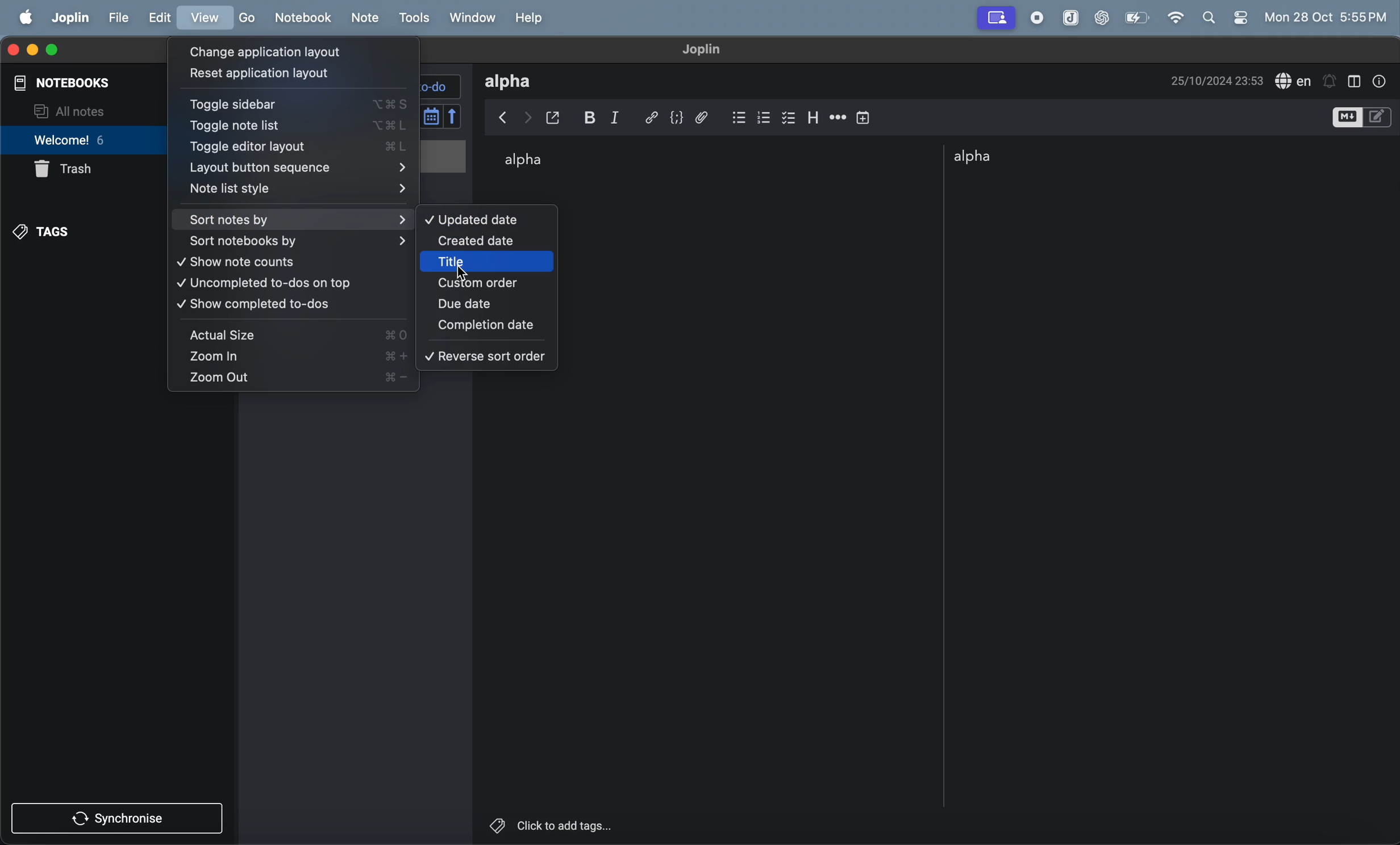 The image size is (1400, 845). I want to click on view, so click(206, 18).